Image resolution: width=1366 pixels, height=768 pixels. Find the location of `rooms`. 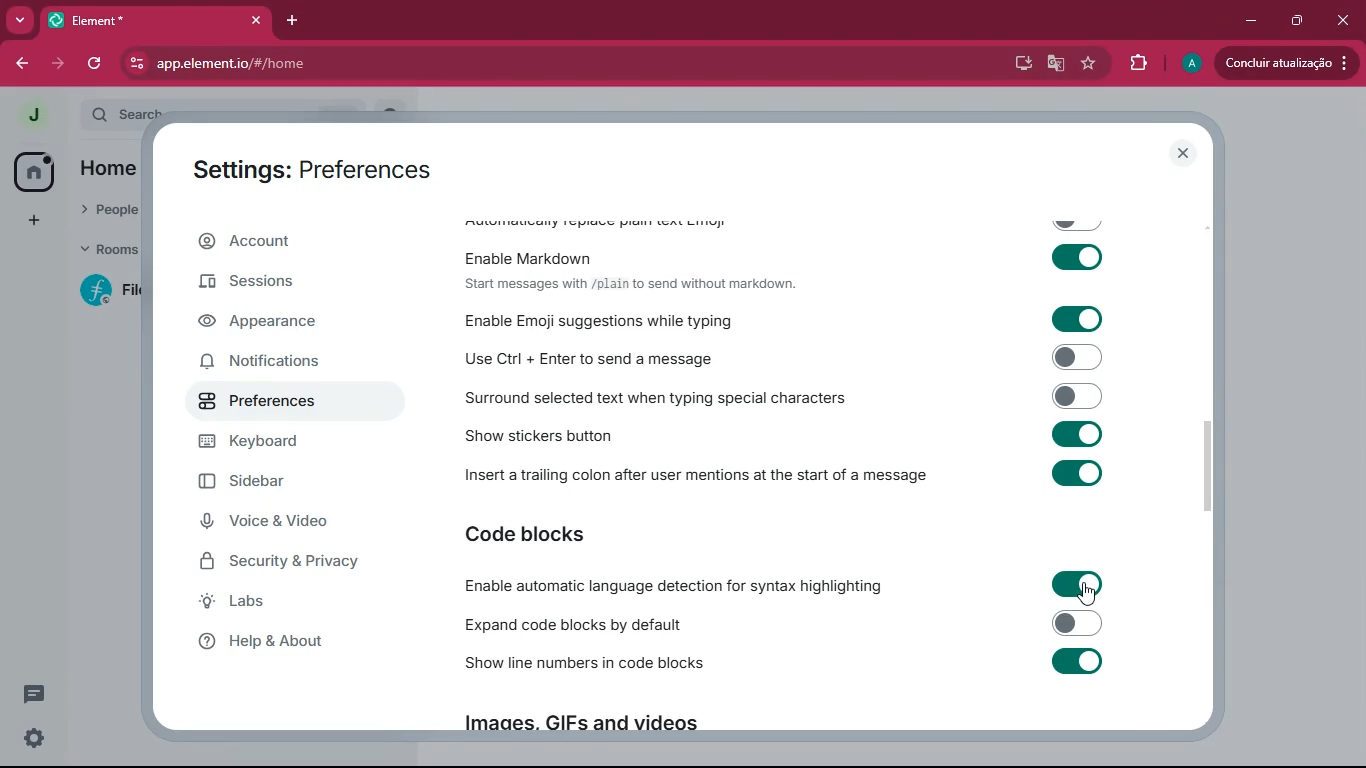

rooms is located at coordinates (109, 247).